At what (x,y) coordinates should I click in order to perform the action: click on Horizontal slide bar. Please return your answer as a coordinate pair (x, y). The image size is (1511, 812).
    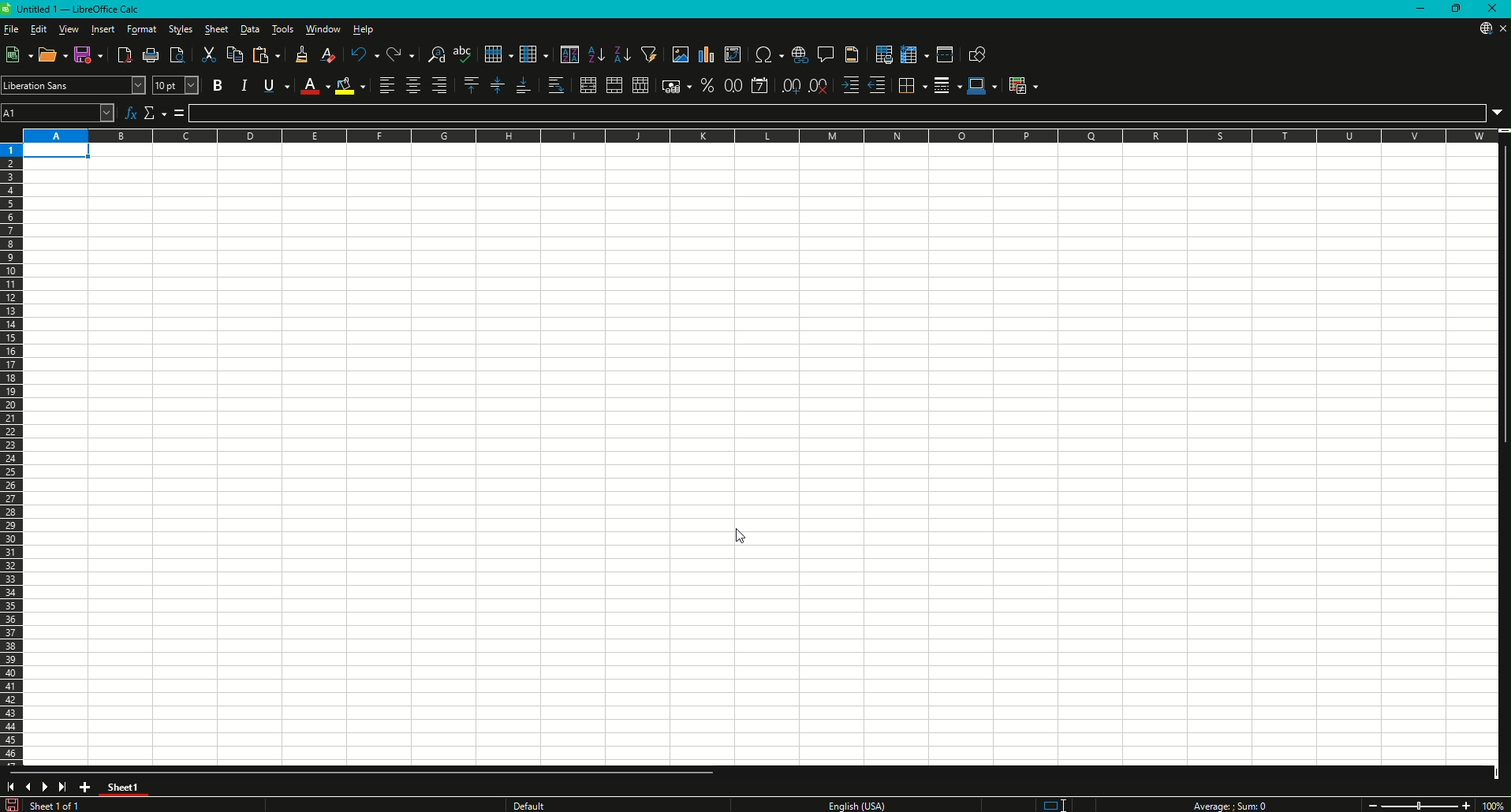
    Looking at the image, I should click on (365, 773).